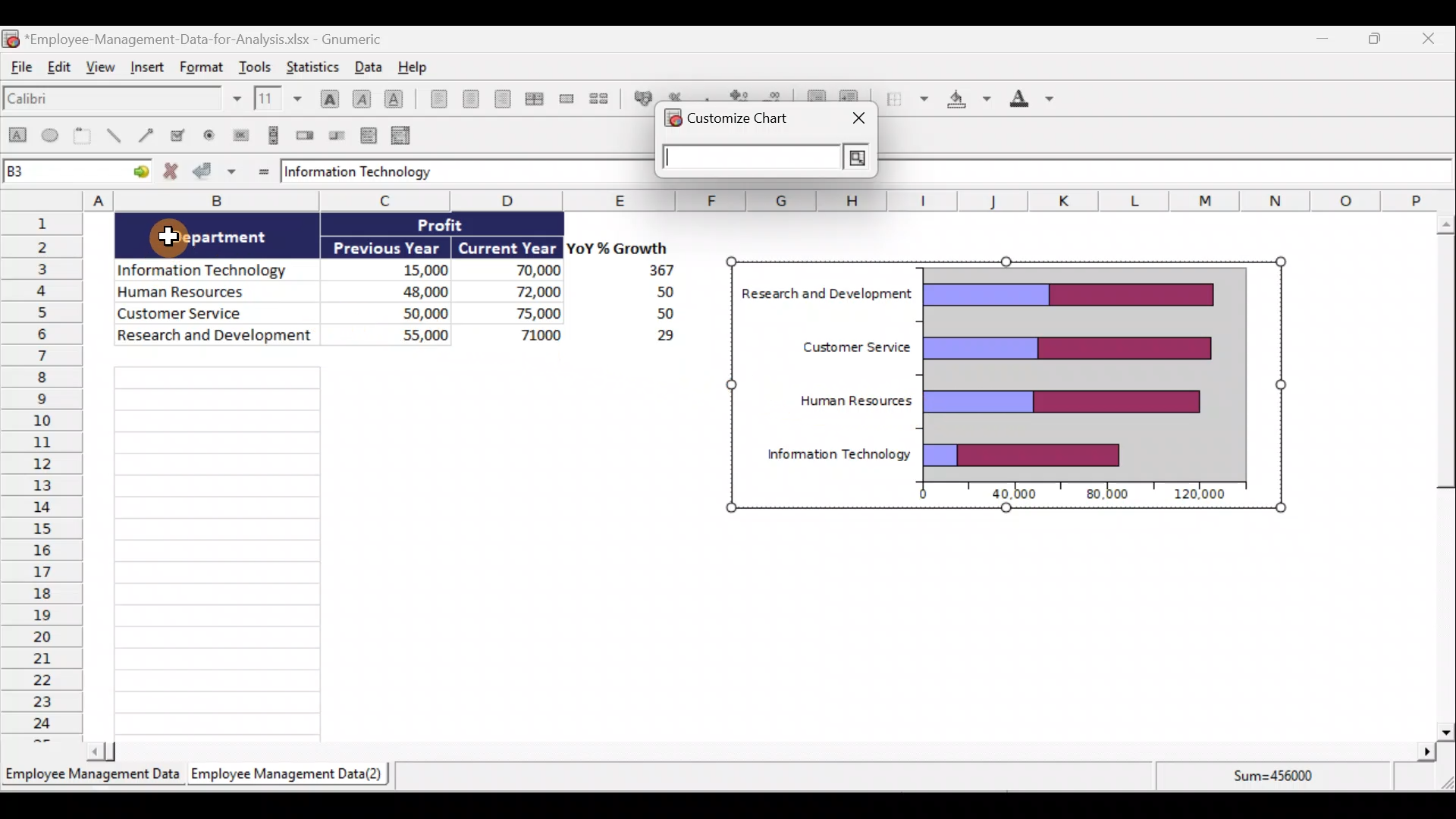 The height and width of the screenshot is (819, 1456). Describe the element at coordinates (434, 102) in the screenshot. I see `Align left` at that location.